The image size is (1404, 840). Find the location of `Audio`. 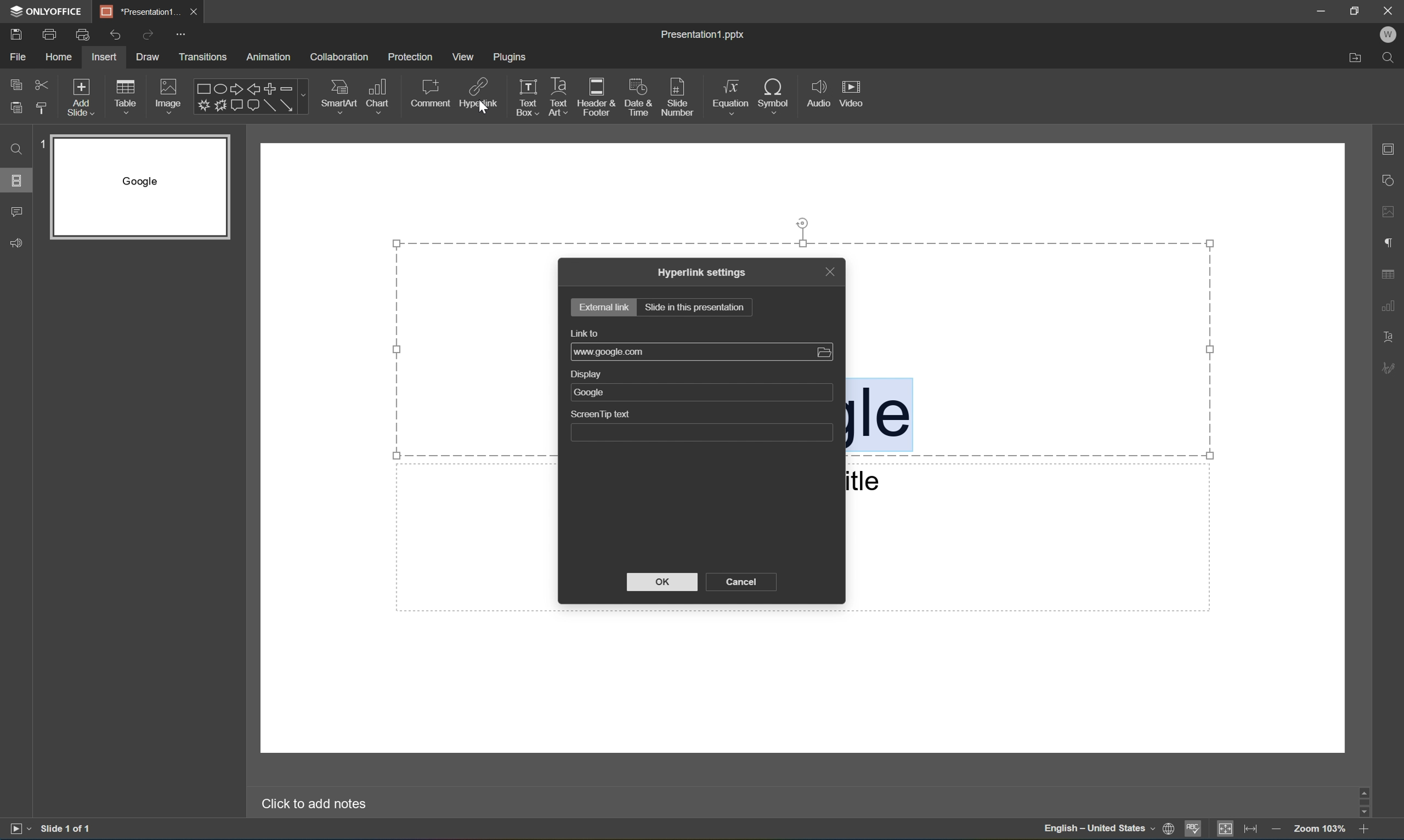

Audio is located at coordinates (817, 90).